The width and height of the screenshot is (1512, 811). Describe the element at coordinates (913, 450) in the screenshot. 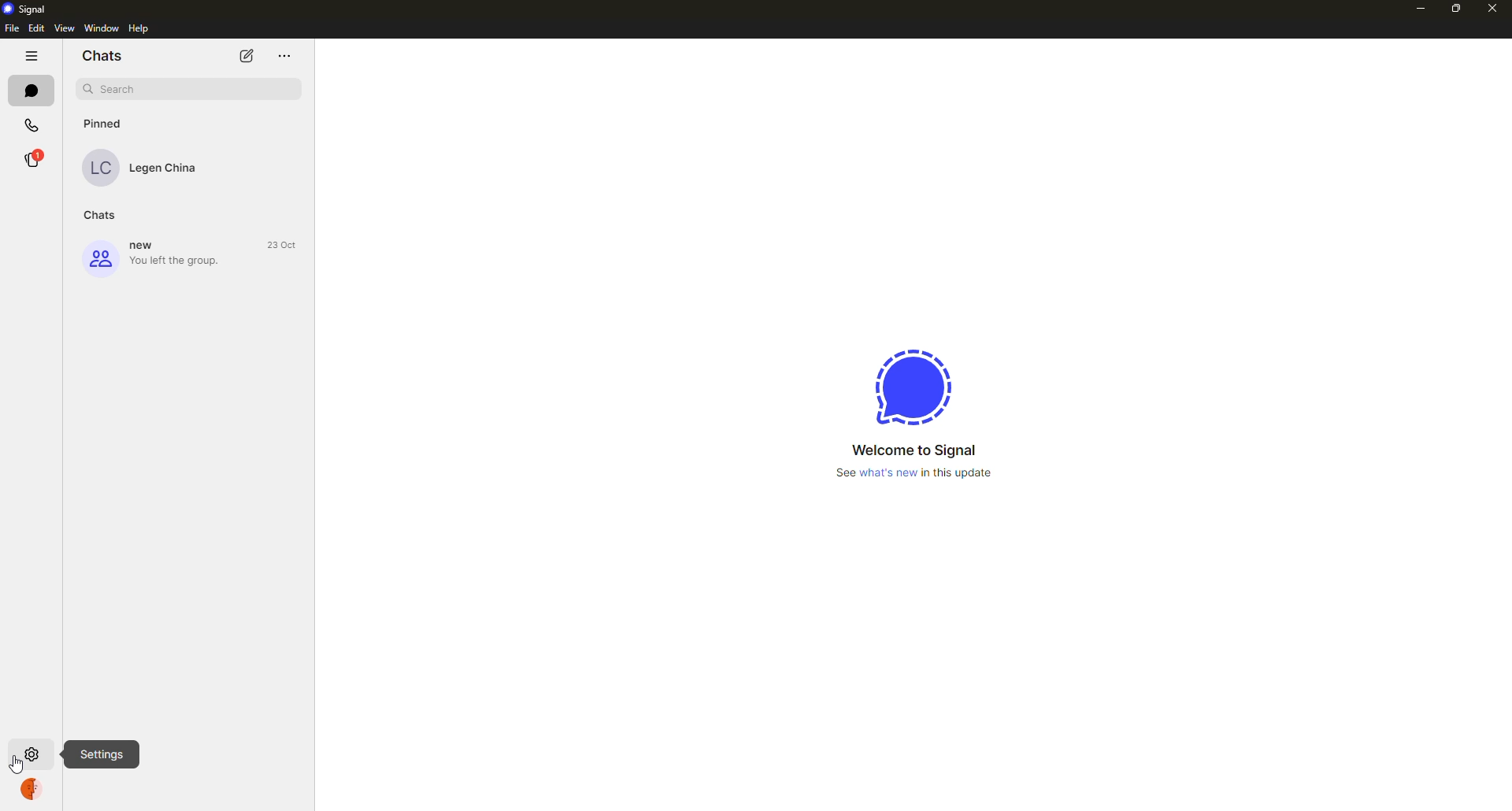

I see `Welcome to Signal` at that location.